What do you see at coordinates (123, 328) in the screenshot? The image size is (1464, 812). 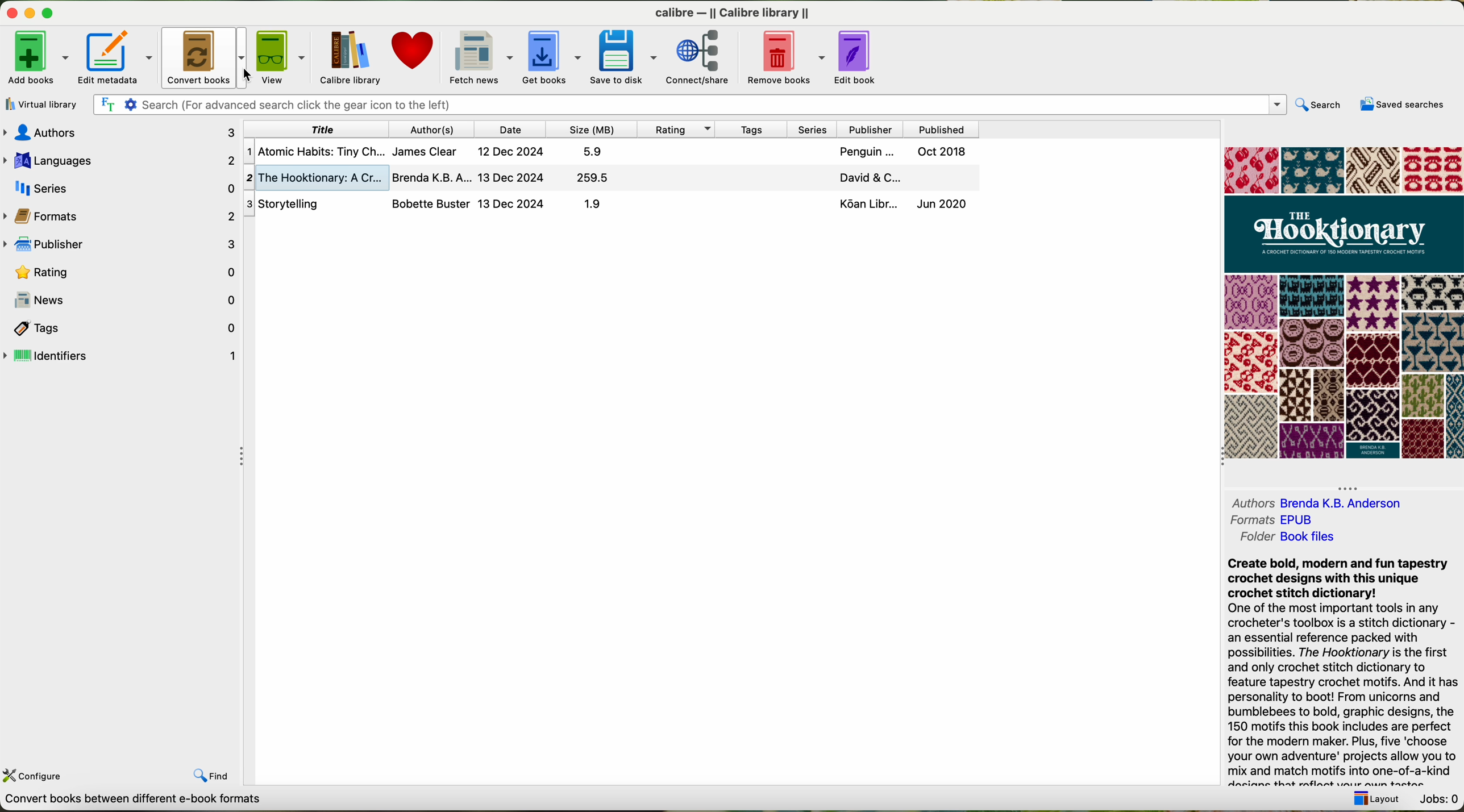 I see `tags` at bounding box center [123, 328].